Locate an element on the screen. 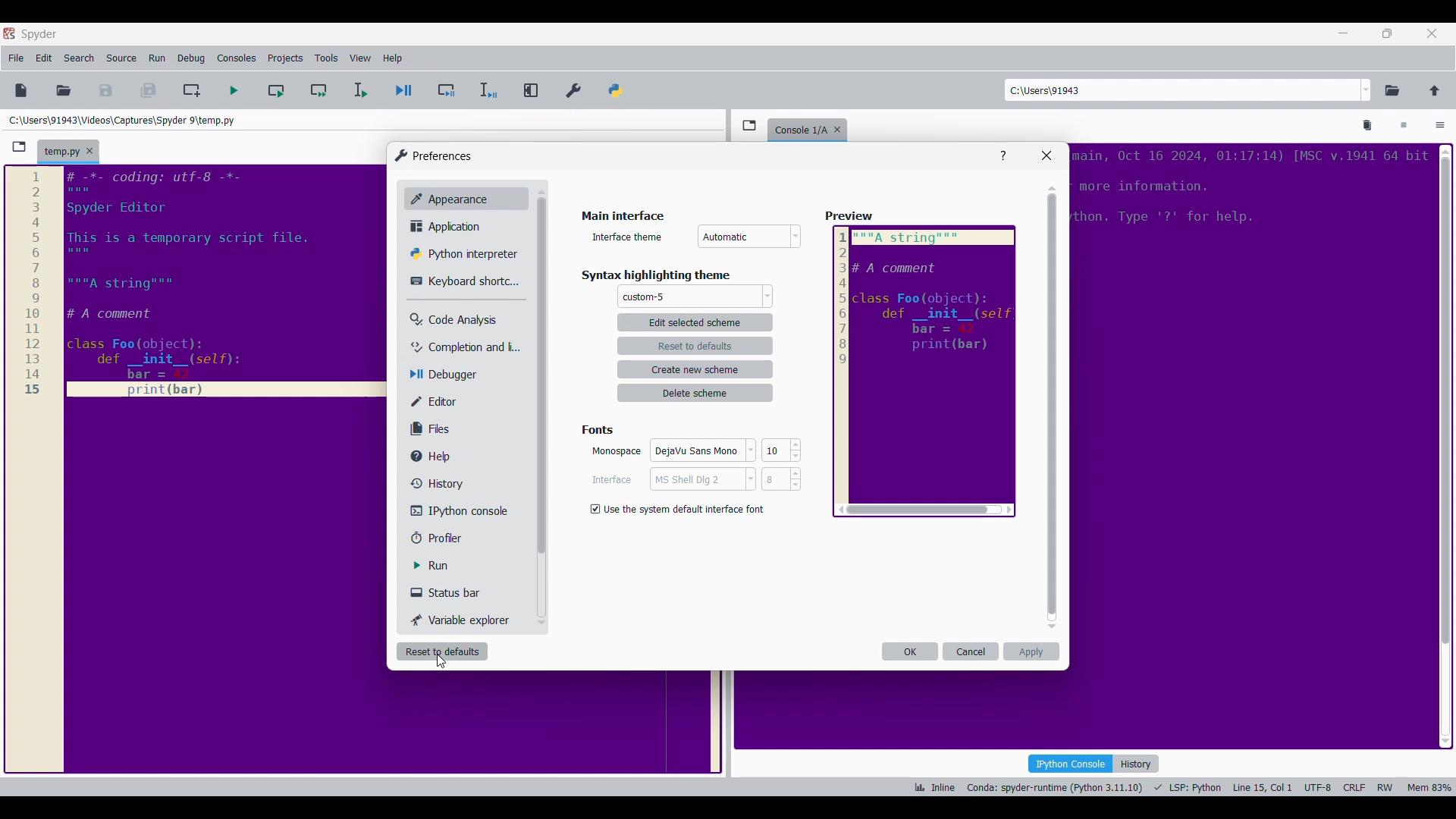 The height and width of the screenshot is (819, 1456). Create new cell at current line is located at coordinates (192, 90).